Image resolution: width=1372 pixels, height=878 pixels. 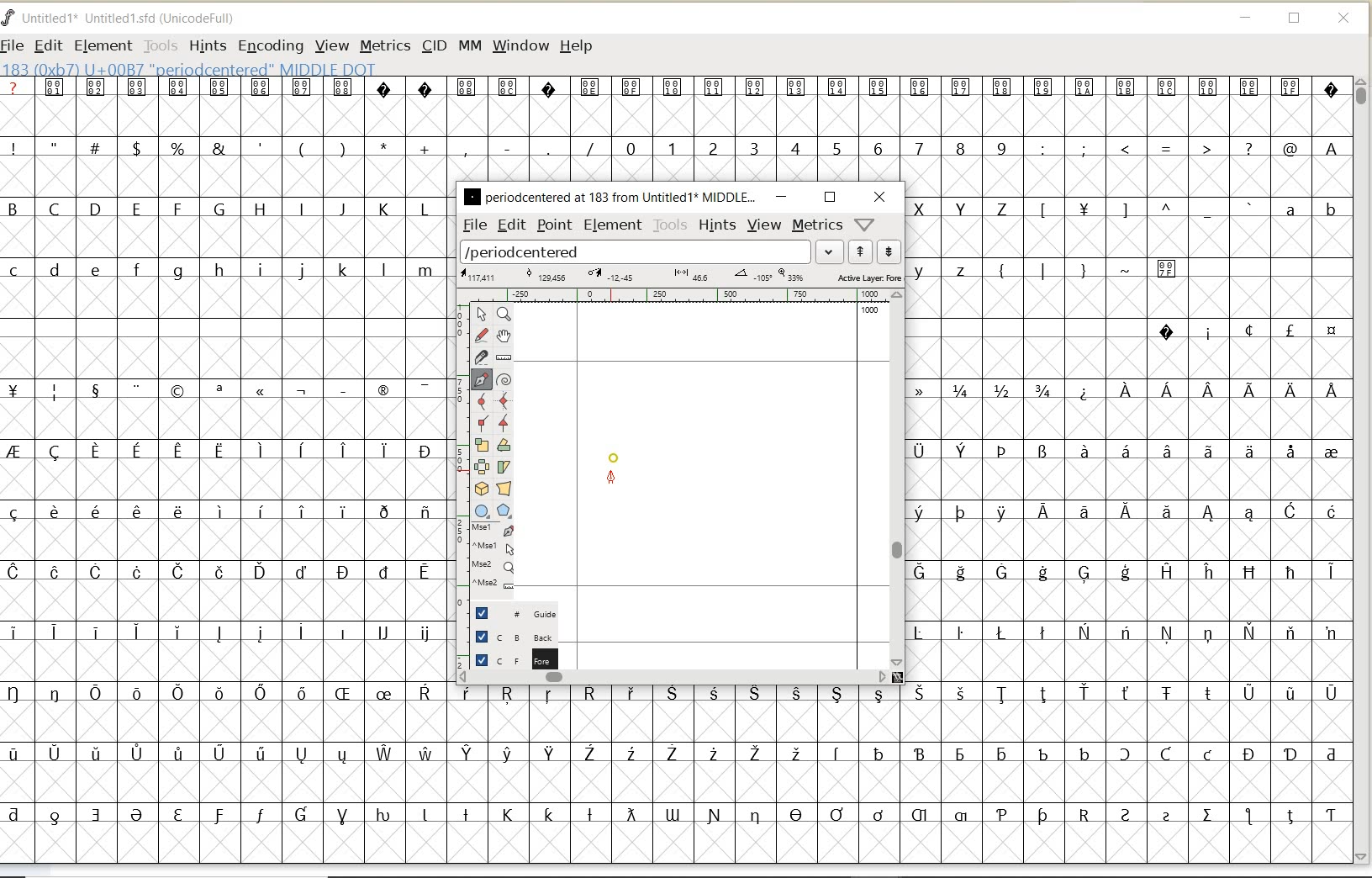 What do you see at coordinates (1247, 331) in the screenshot?
I see `special characters` at bounding box center [1247, 331].